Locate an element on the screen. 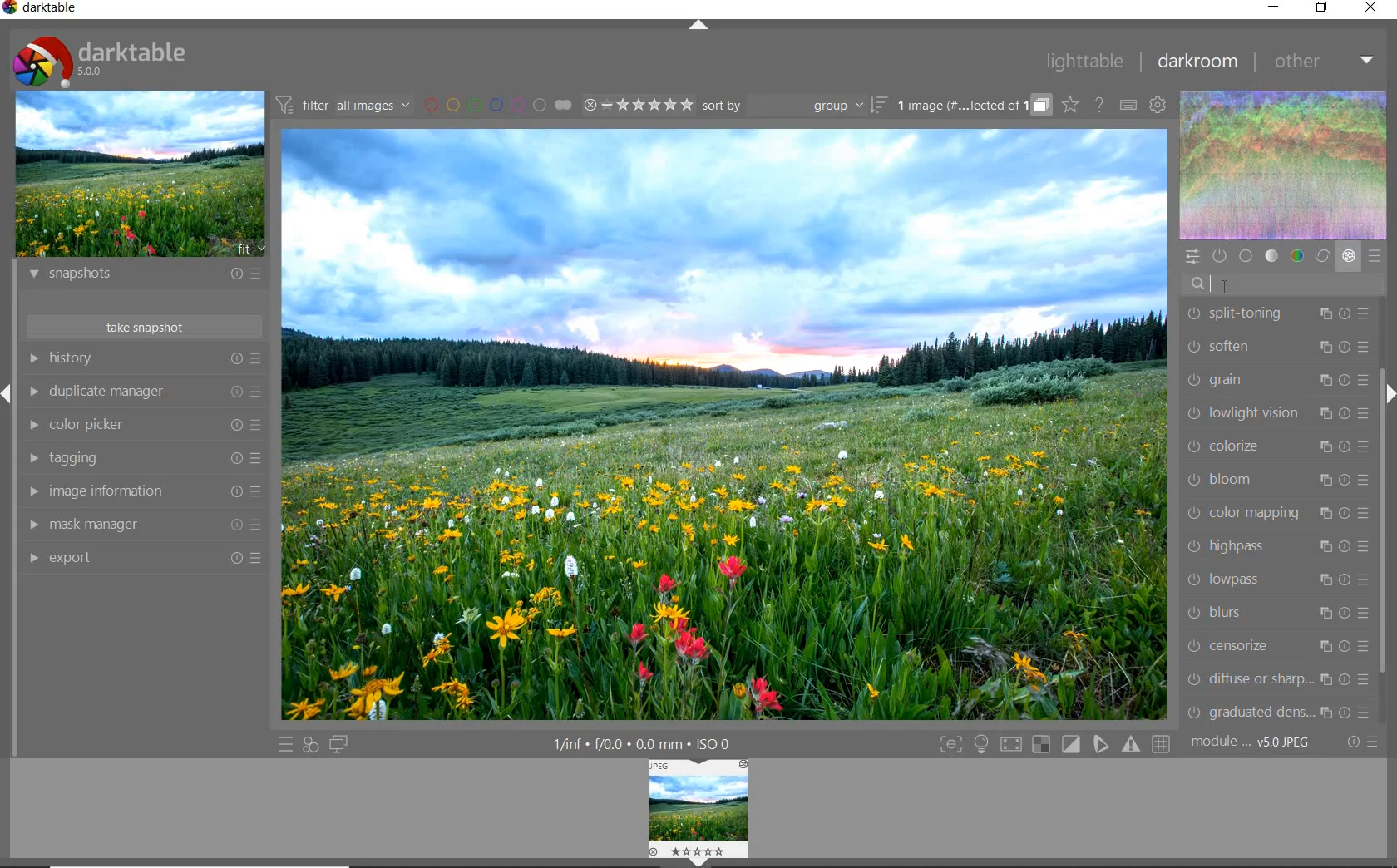 This screenshot has height=868, width=1397. mask manager is located at coordinates (143, 523).